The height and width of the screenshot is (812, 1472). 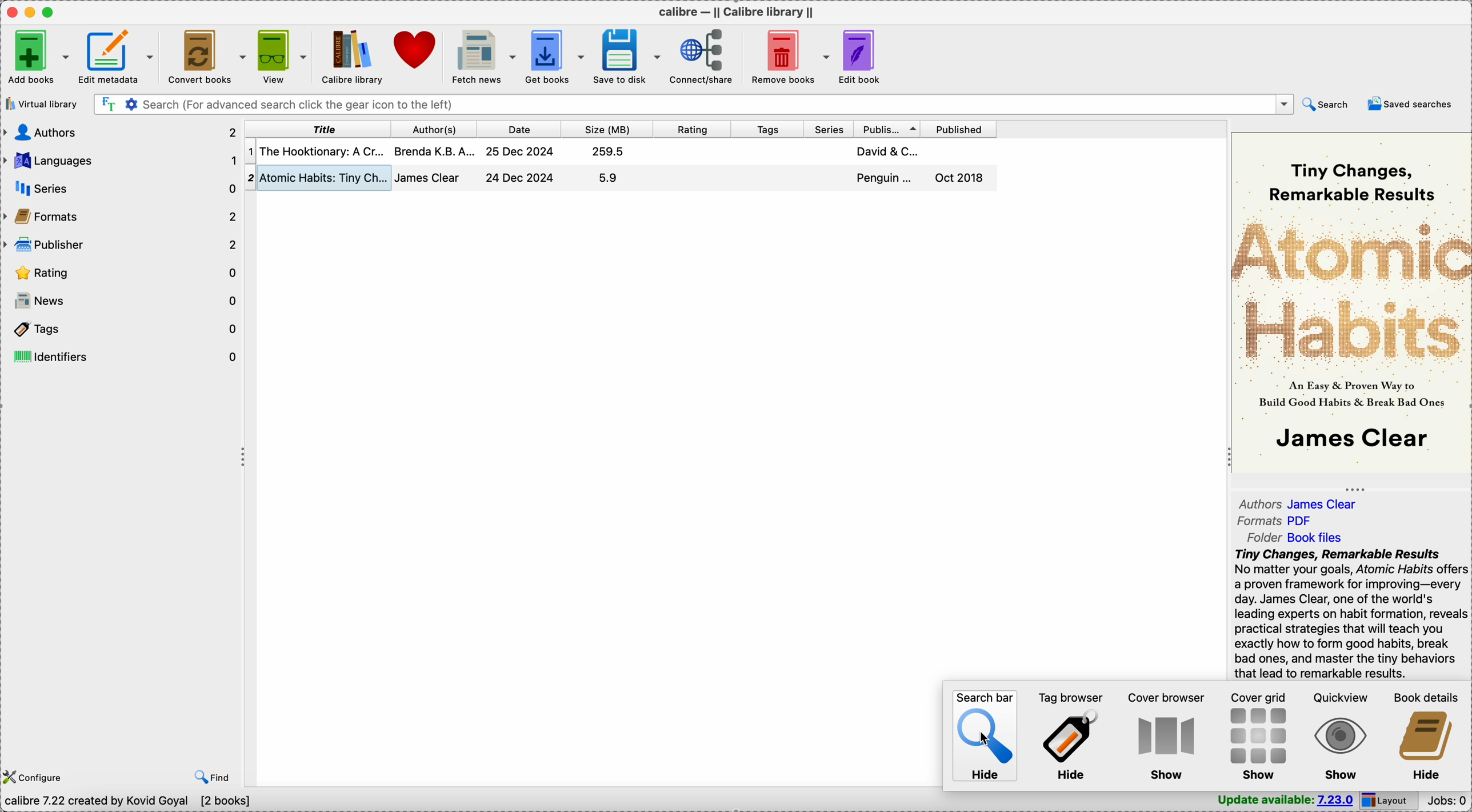 I want to click on an easy & proven way to build good habits & break bad ones, so click(x=1353, y=393).